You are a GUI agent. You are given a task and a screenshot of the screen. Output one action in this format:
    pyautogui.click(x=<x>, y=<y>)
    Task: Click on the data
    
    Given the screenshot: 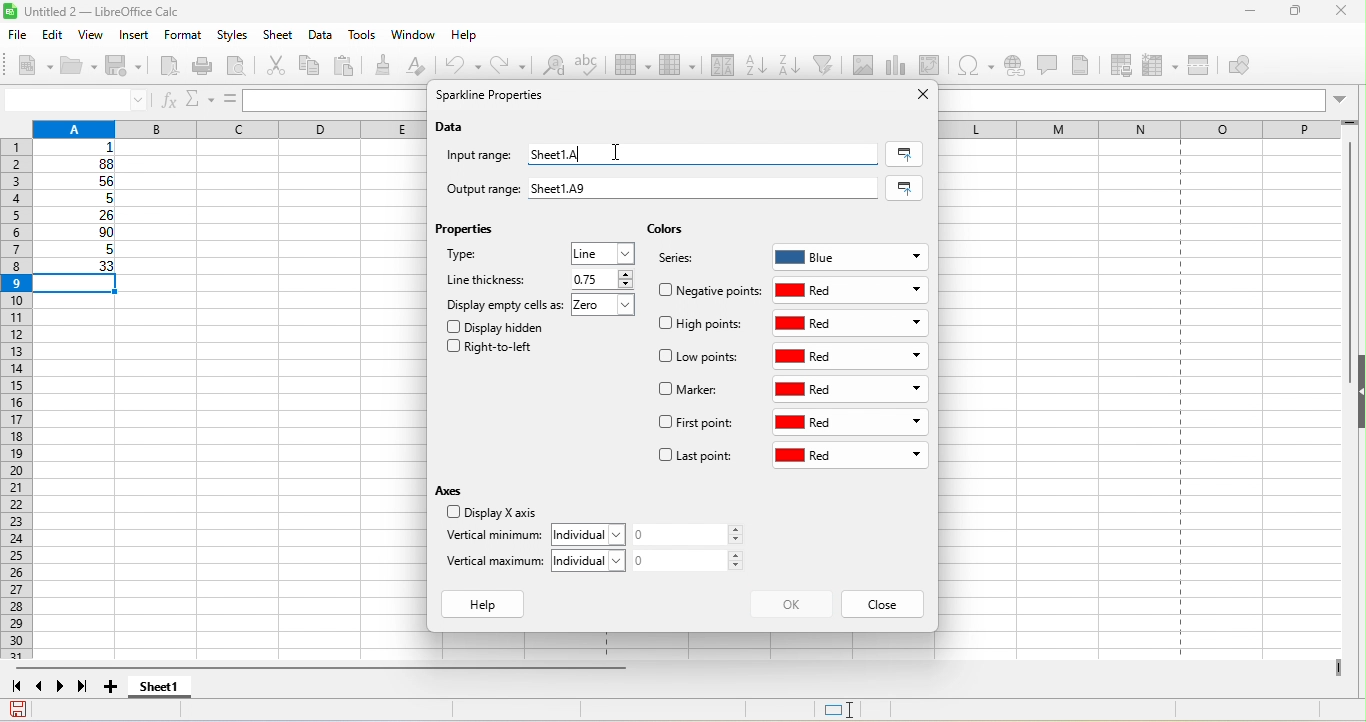 What is the action you would take?
    pyautogui.click(x=322, y=36)
    